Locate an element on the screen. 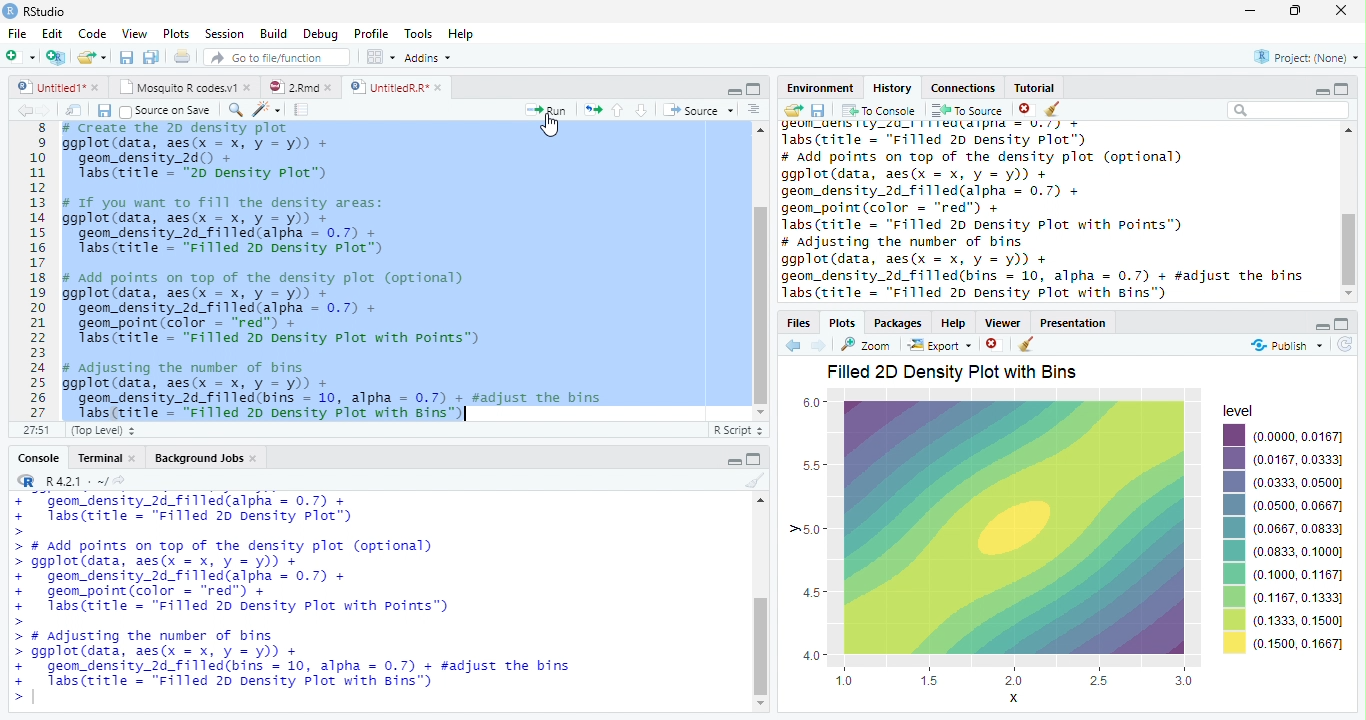 This screenshot has height=720, width=1366. Scrollbar up is located at coordinates (758, 130).